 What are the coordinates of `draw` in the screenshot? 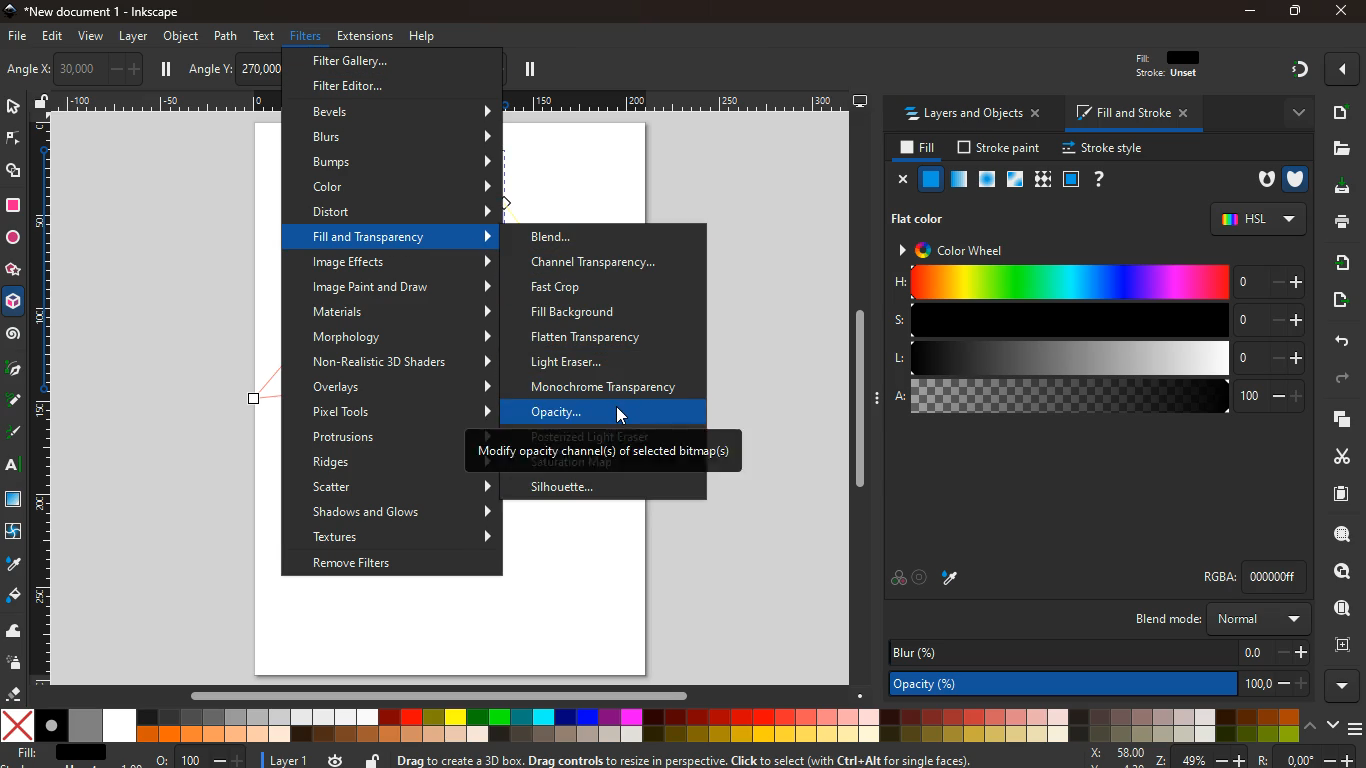 It's located at (13, 404).